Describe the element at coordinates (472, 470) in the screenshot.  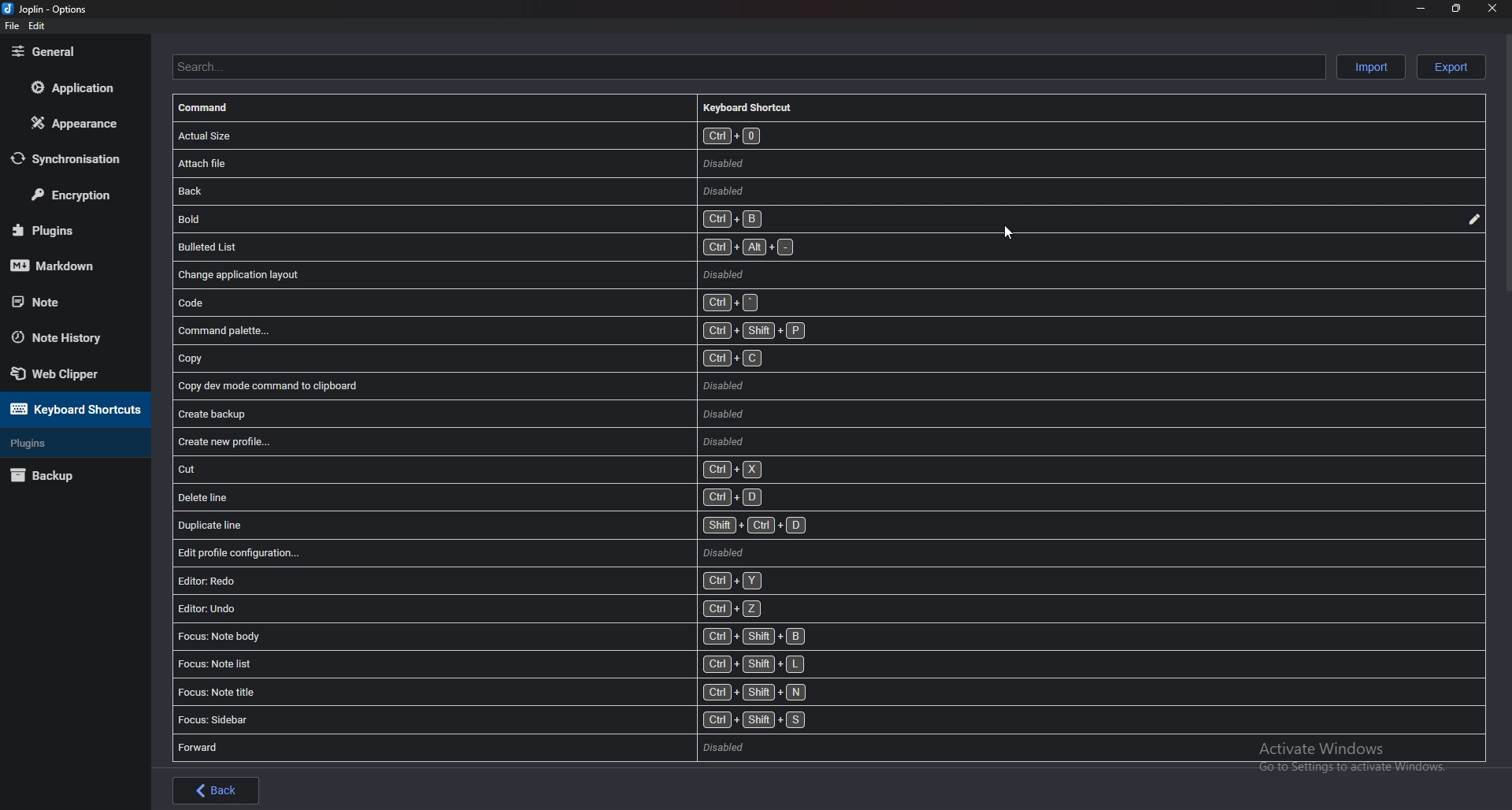
I see `cut` at that location.